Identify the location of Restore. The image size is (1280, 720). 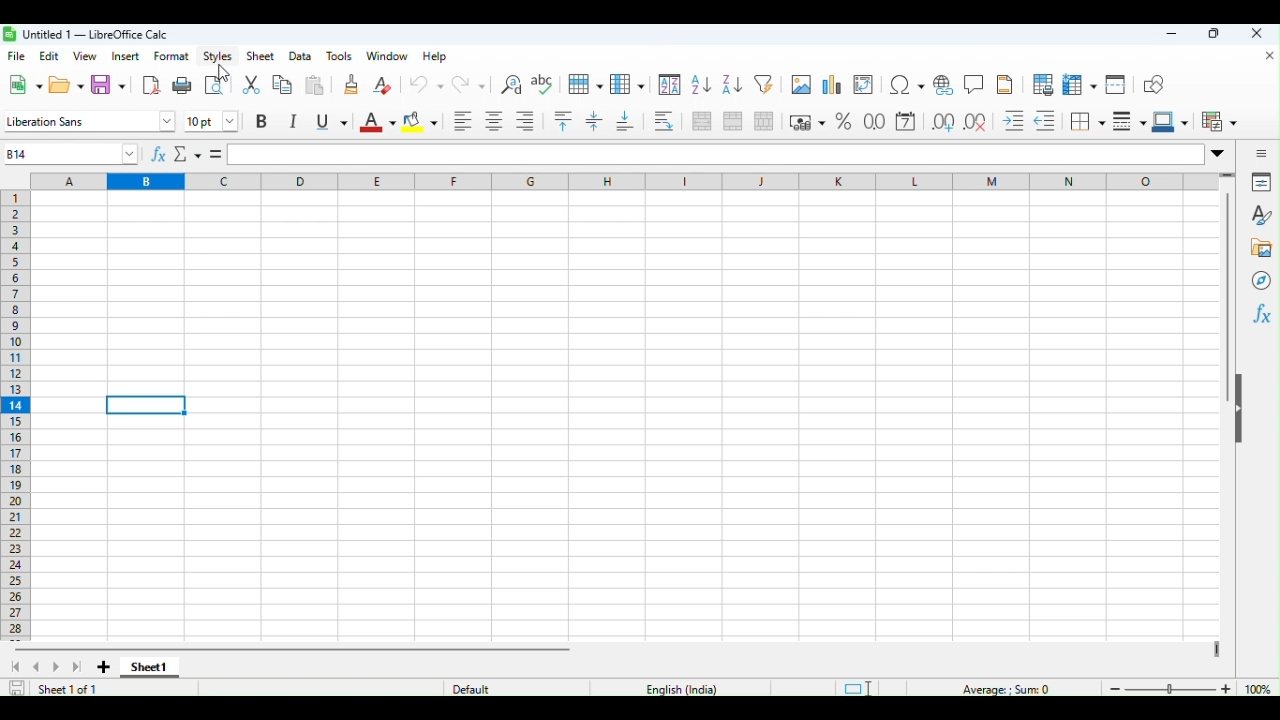
(1215, 34).